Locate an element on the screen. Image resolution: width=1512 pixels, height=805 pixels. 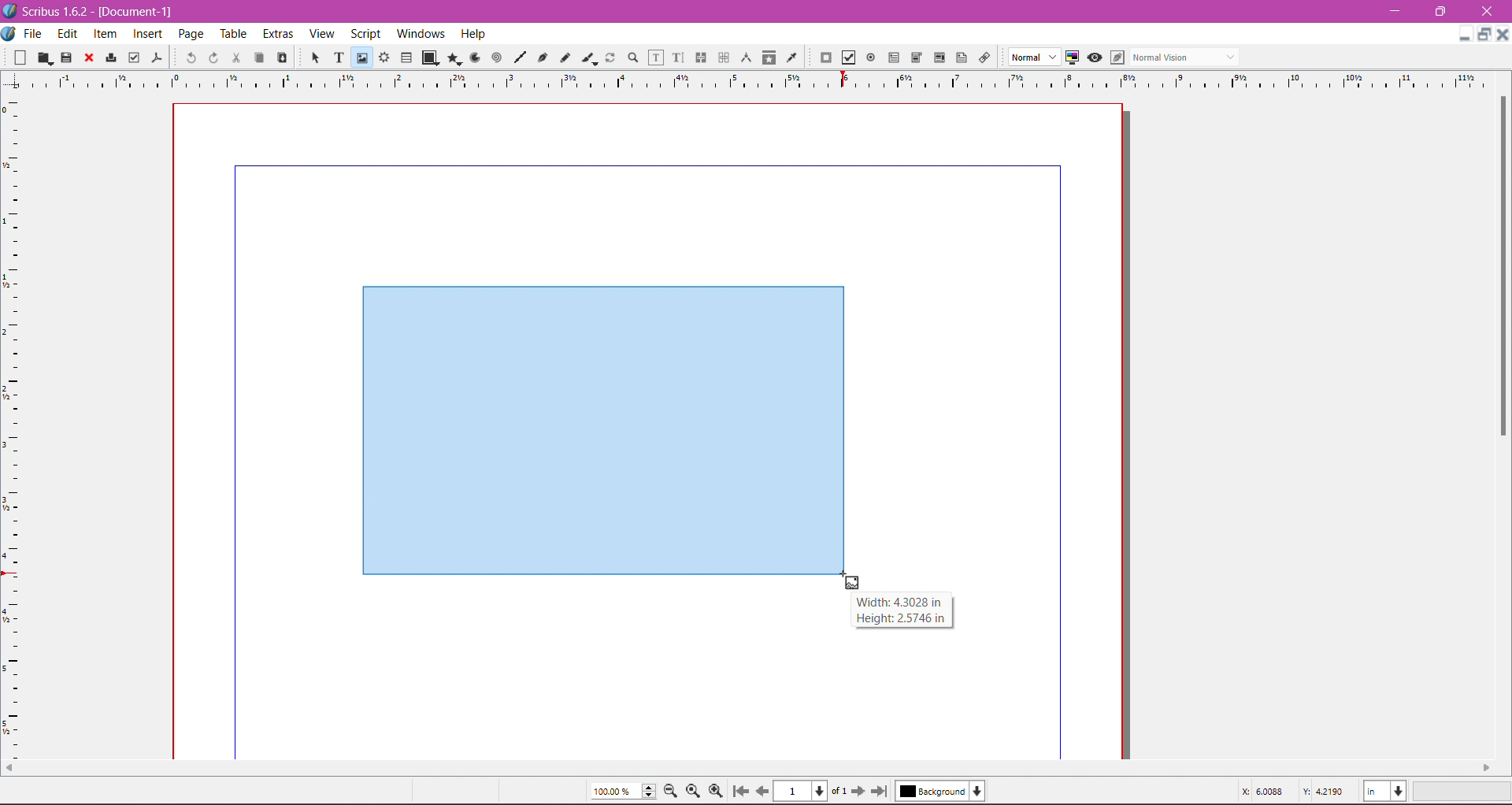
Minimize Document is located at coordinates (1465, 34).